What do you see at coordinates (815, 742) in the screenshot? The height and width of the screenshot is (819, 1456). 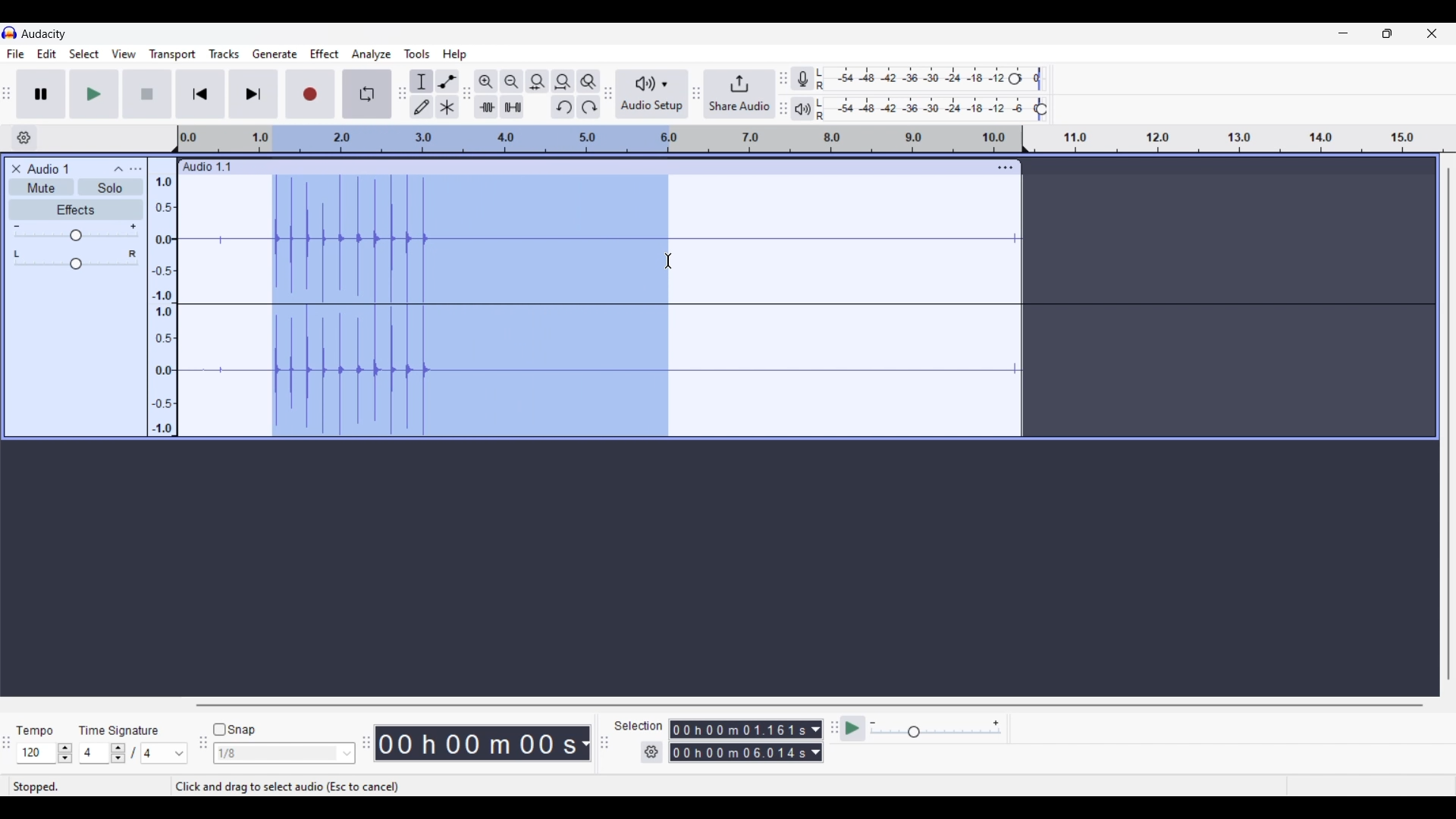 I see `Measurement options of selection duration` at bounding box center [815, 742].